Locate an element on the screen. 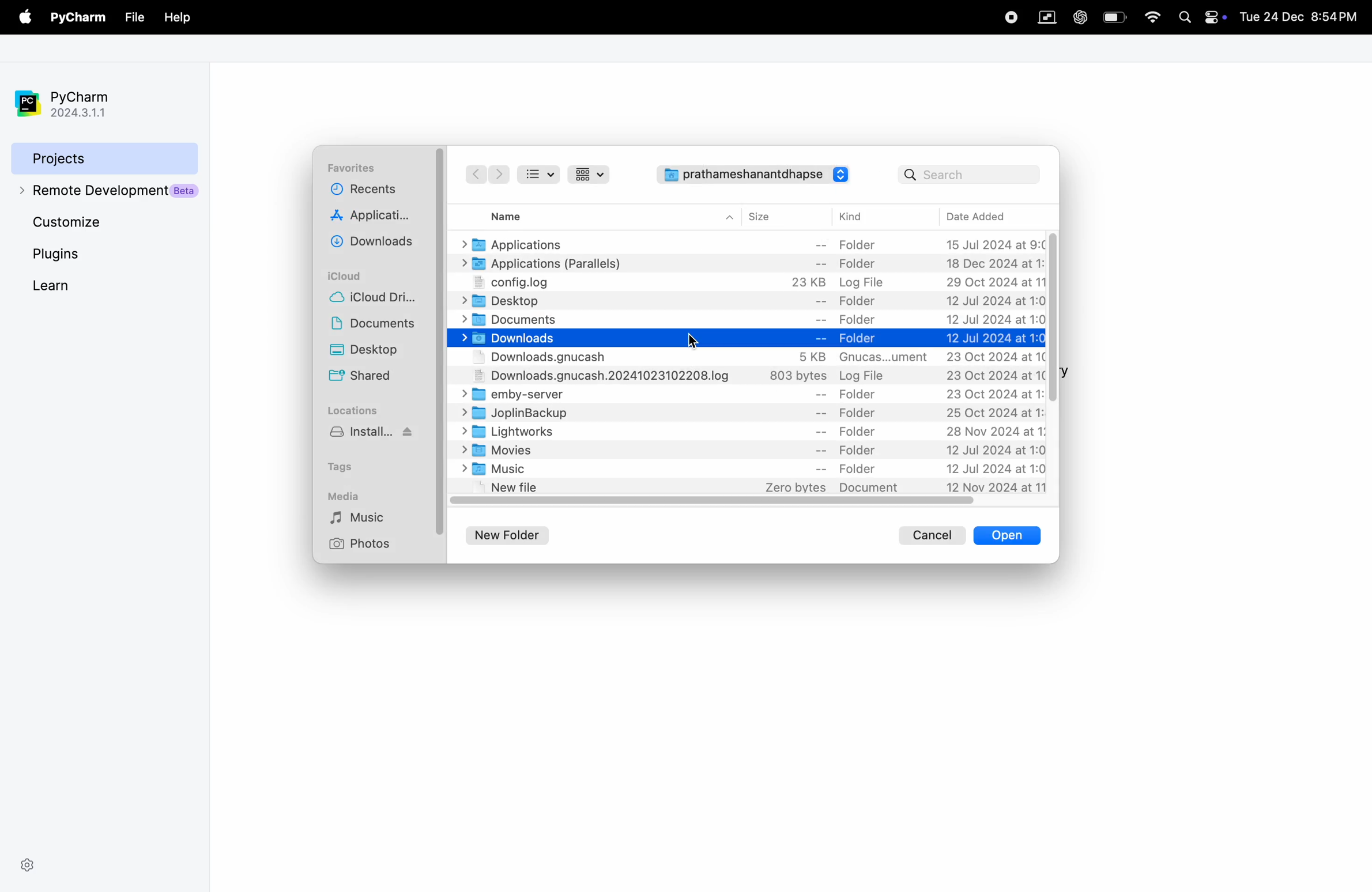 The width and height of the screenshot is (1372, 892). settings is located at coordinates (27, 863).